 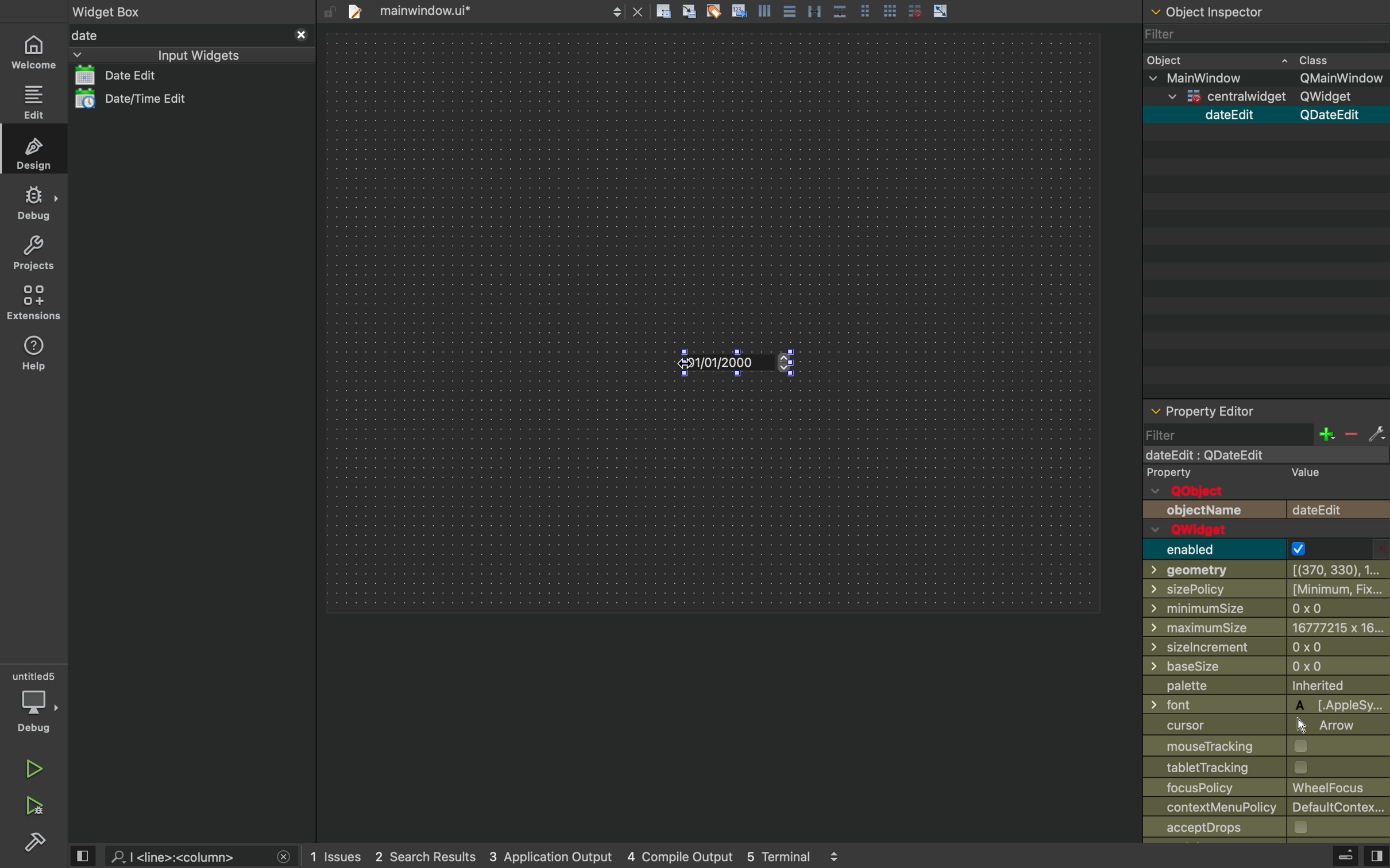 I want to click on close, so click(x=638, y=10).